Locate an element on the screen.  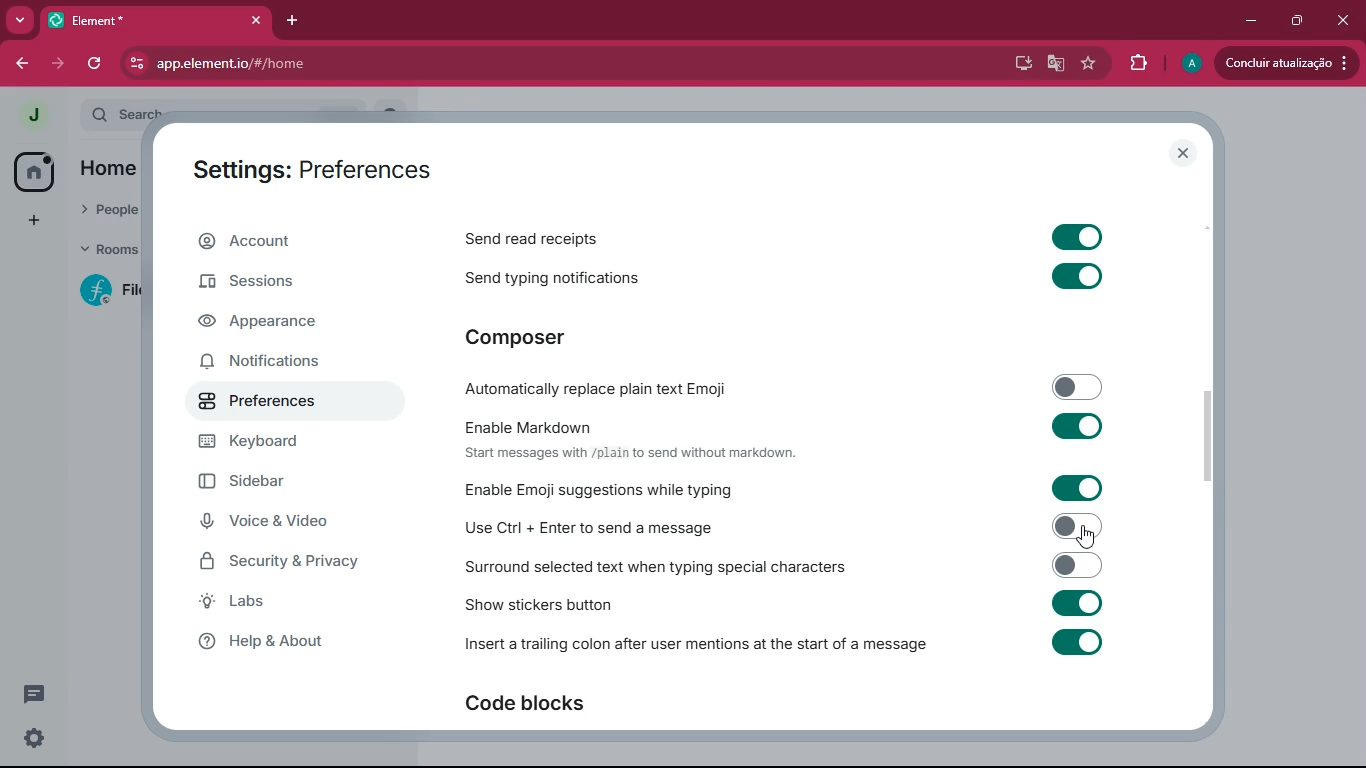
toggle on or off is located at coordinates (1075, 237).